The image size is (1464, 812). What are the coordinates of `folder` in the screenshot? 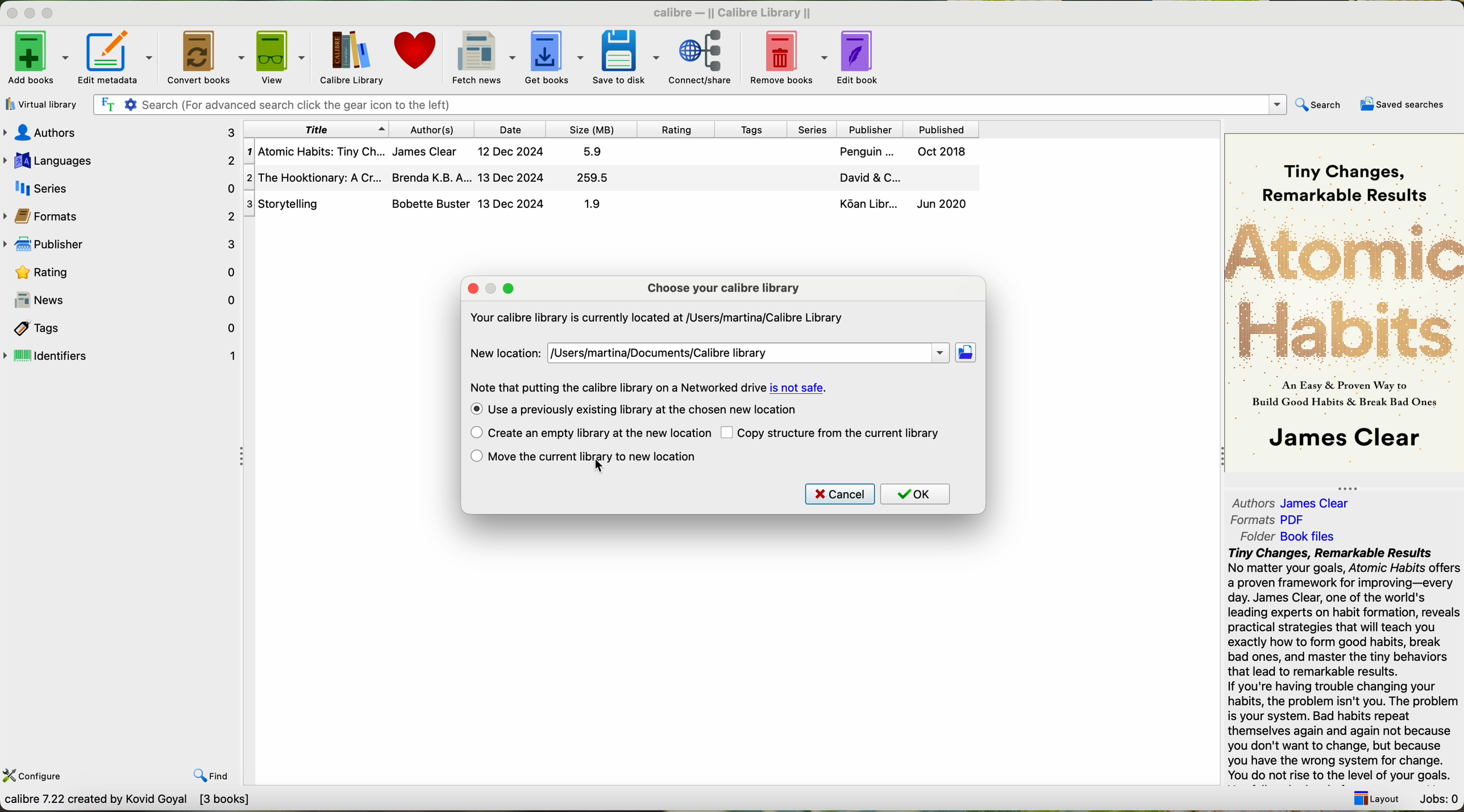 It's located at (1255, 537).